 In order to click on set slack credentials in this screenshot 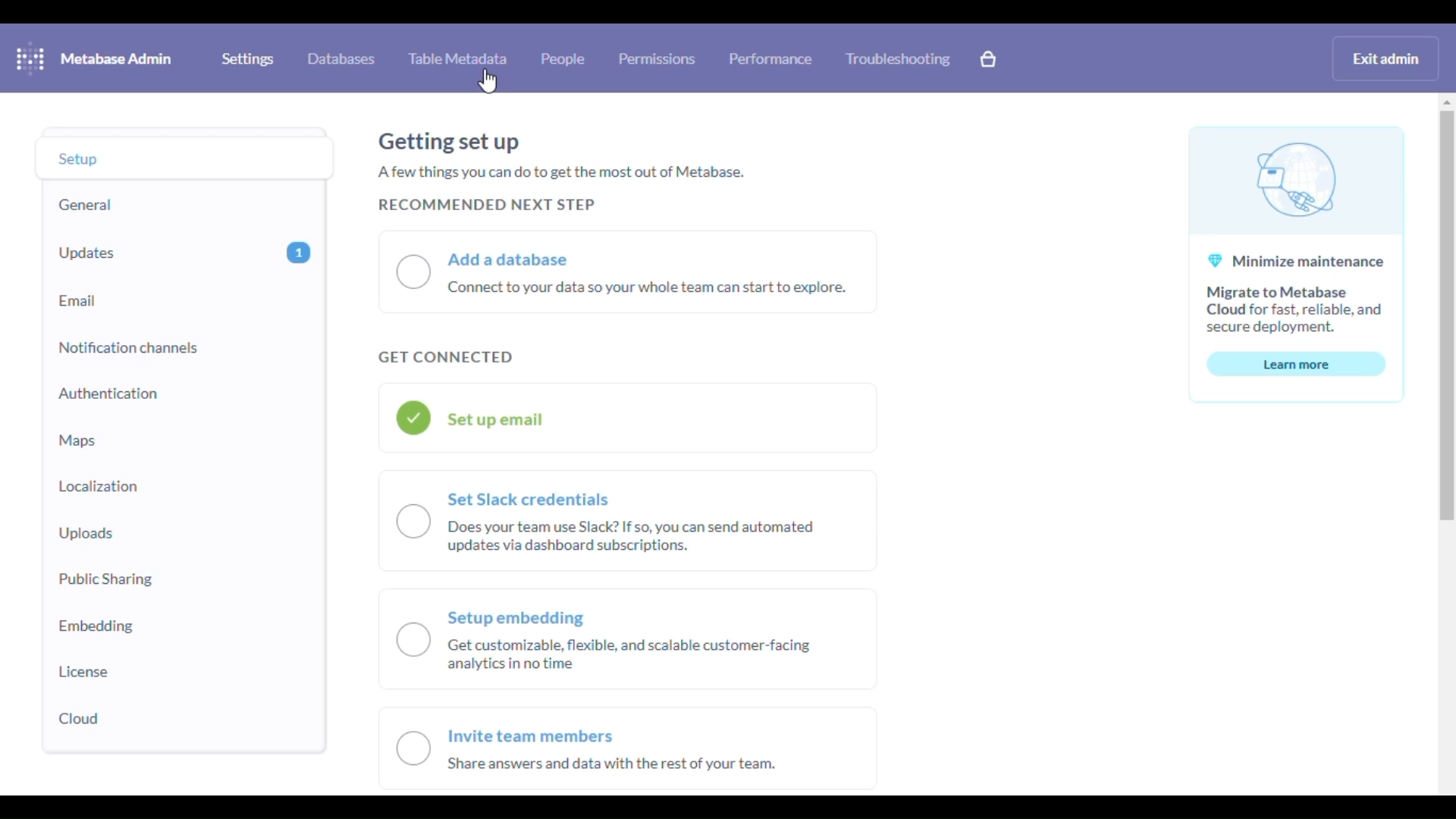, I will do `click(629, 519)`.